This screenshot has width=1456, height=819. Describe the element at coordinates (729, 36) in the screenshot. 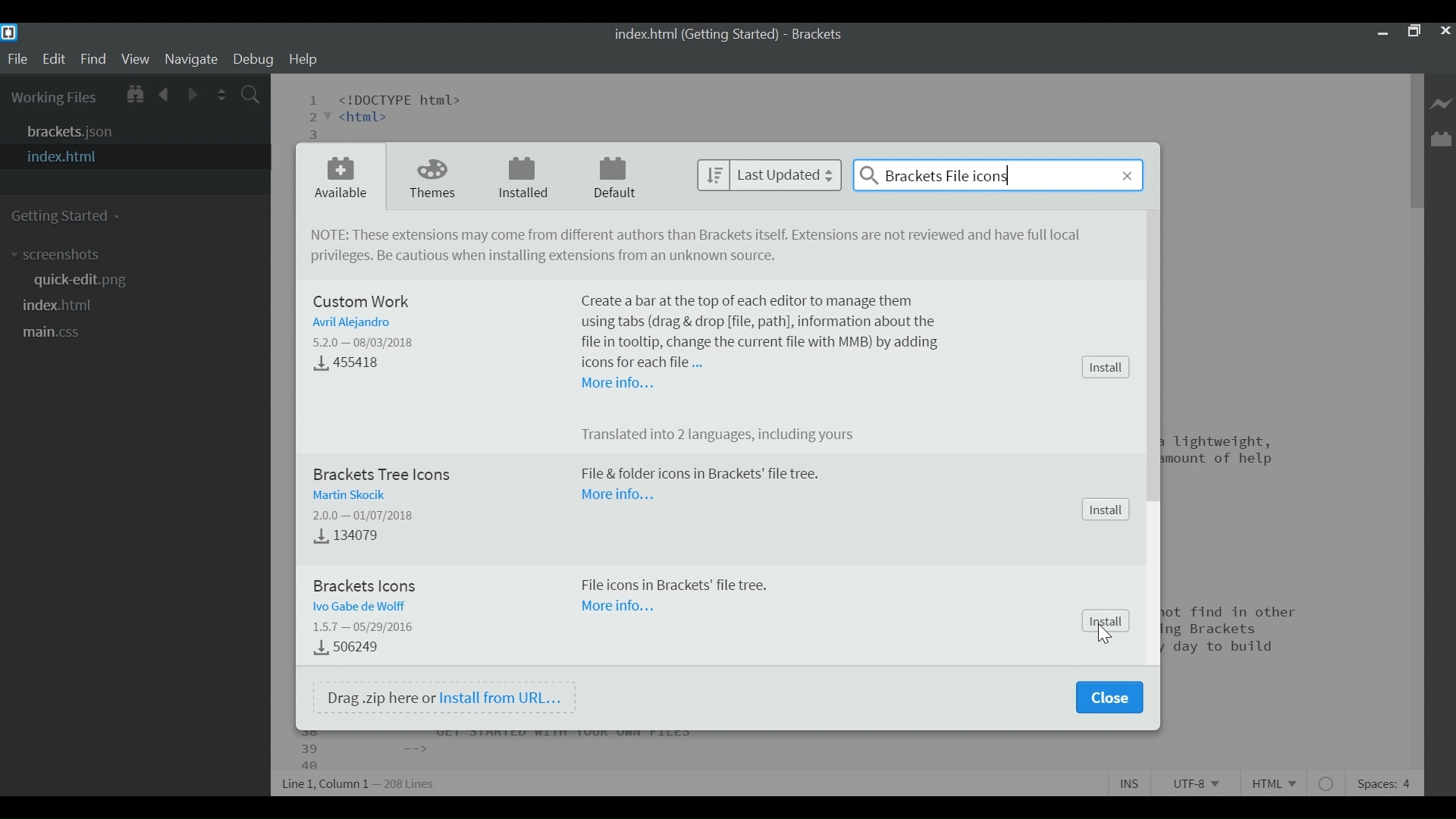

I see `index.html (Getting started) - Brackets` at that location.